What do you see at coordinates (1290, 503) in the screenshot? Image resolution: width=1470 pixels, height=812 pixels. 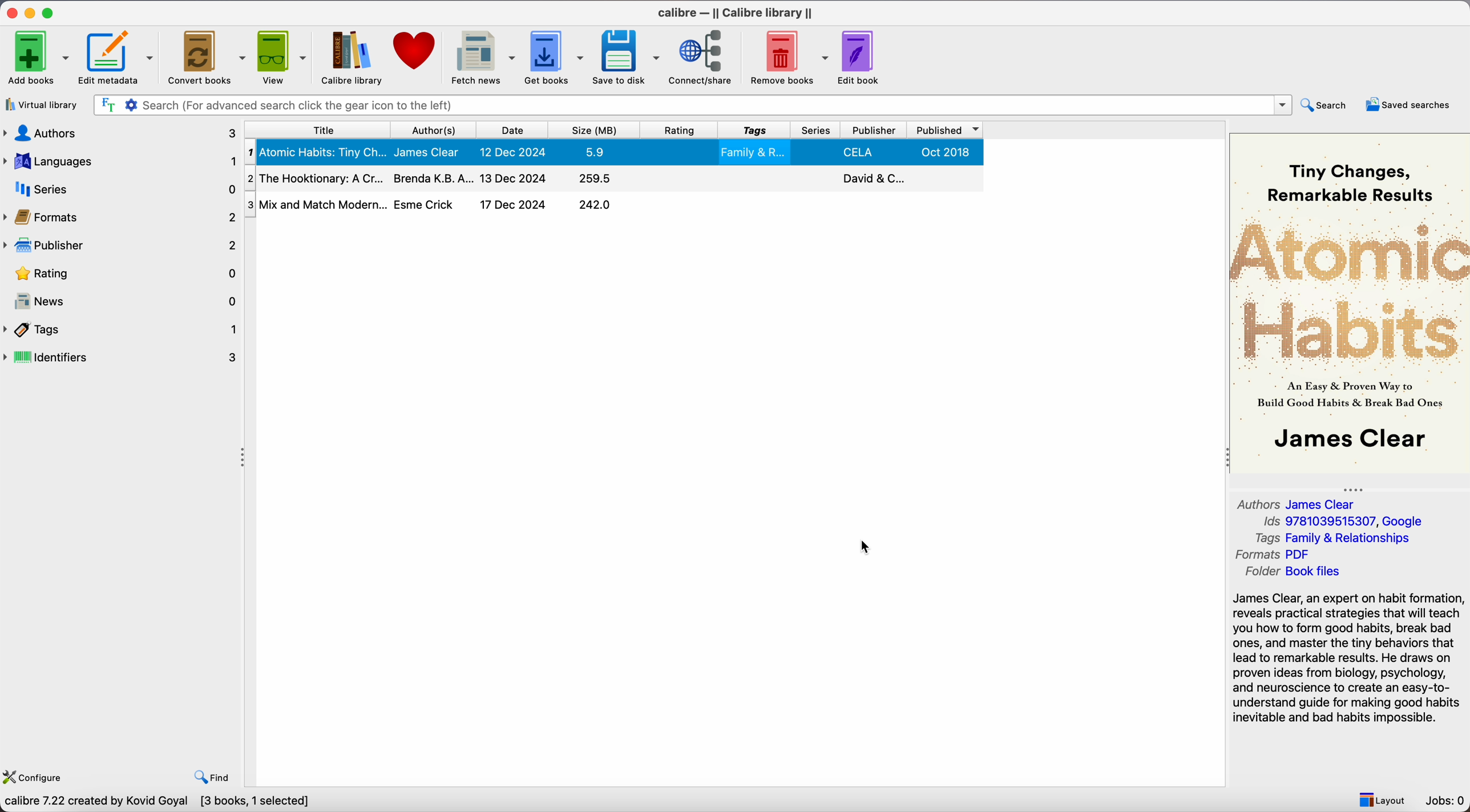 I see `Authors James Clear` at bounding box center [1290, 503].